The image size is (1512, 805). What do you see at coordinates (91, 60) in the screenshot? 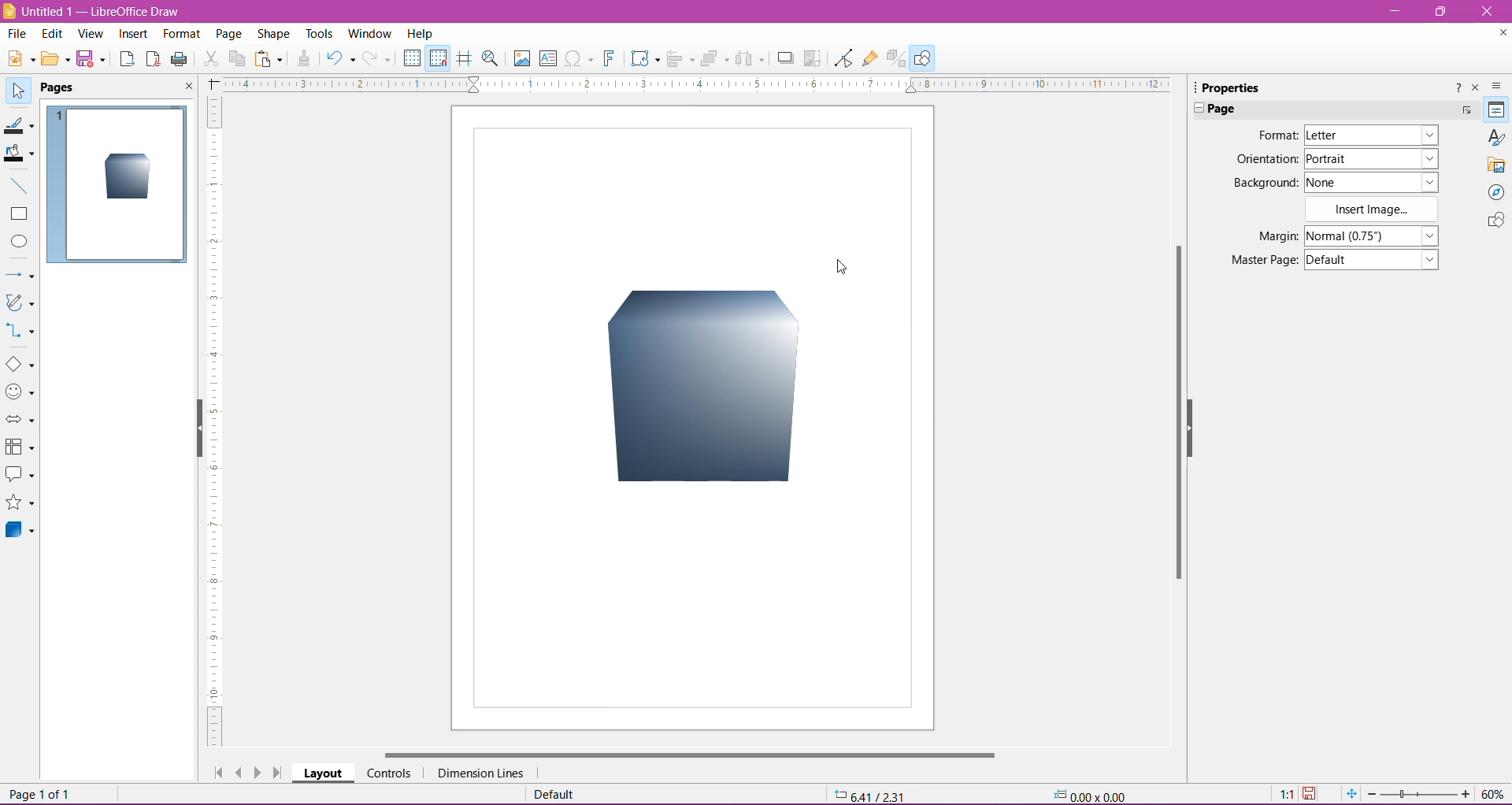
I see `Save` at bounding box center [91, 60].